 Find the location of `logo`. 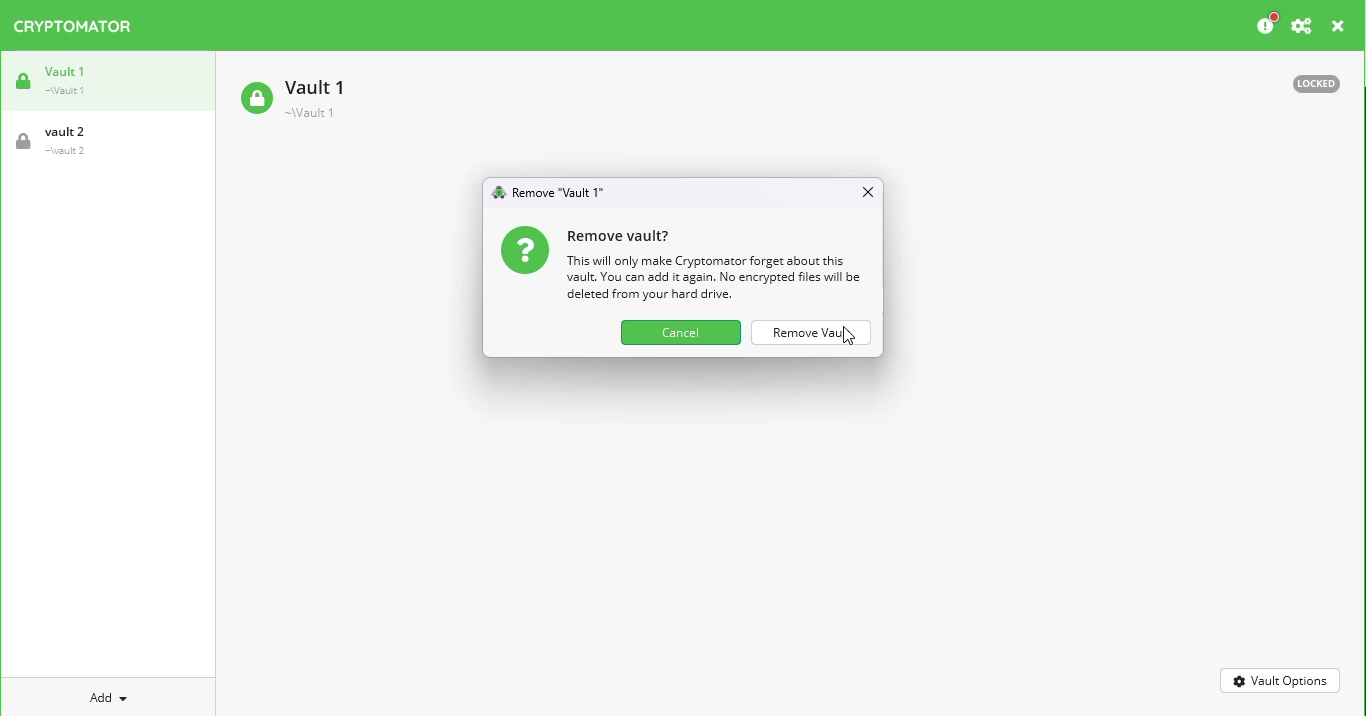

logo is located at coordinates (499, 192).